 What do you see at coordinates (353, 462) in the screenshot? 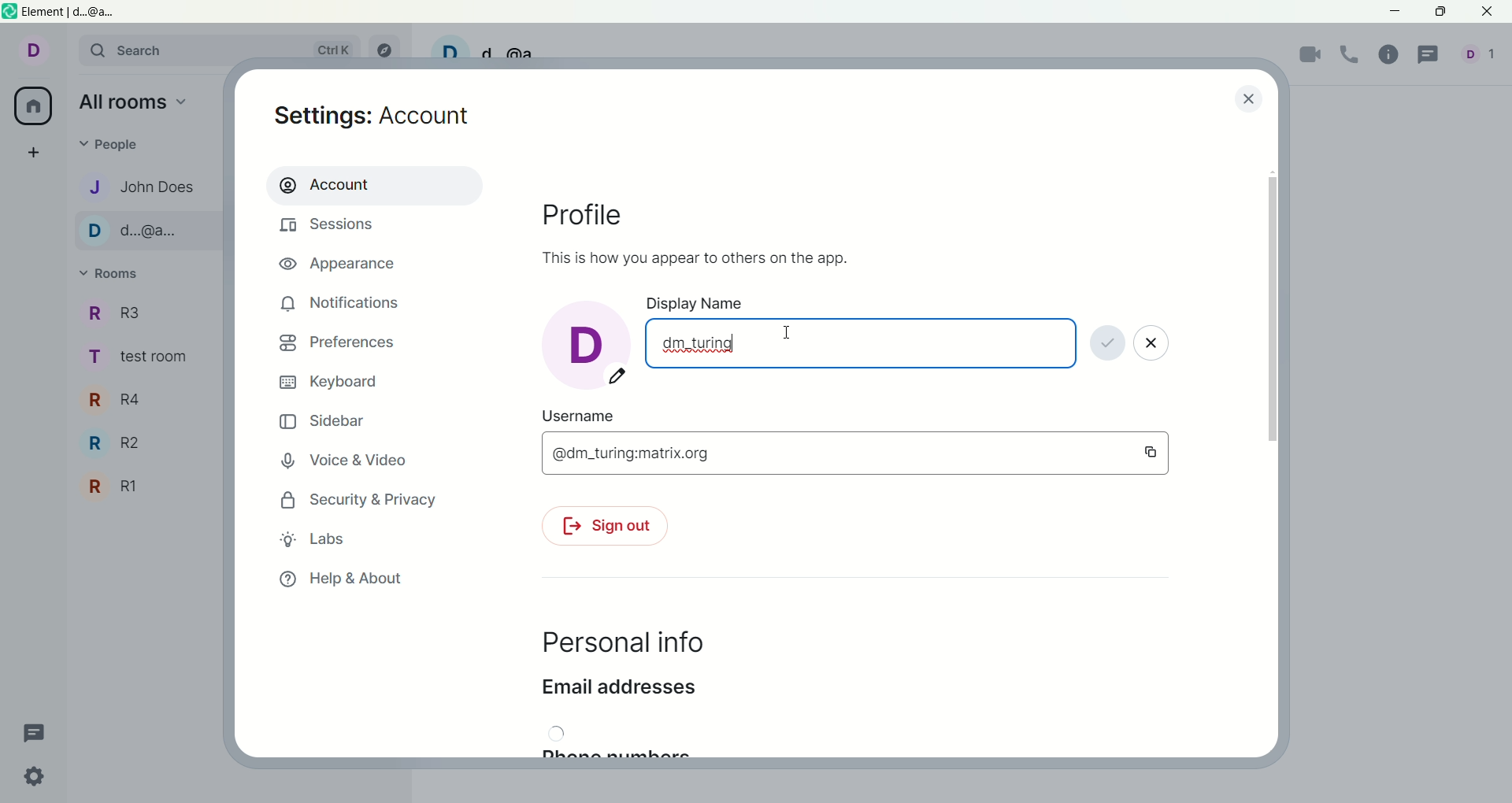
I see `voice and video` at bounding box center [353, 462].